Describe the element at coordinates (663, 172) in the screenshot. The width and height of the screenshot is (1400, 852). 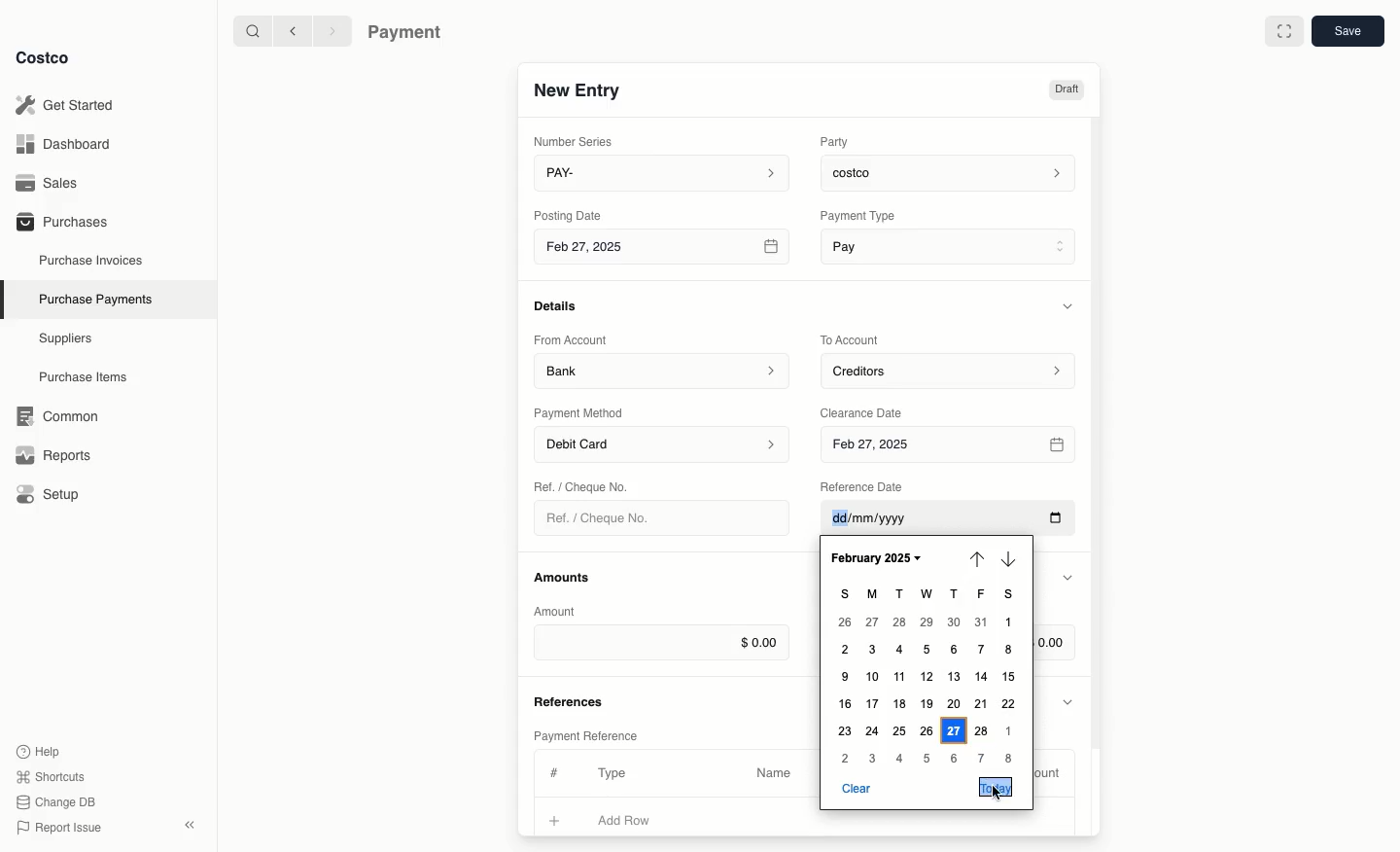
I see `PAY-` at that location.